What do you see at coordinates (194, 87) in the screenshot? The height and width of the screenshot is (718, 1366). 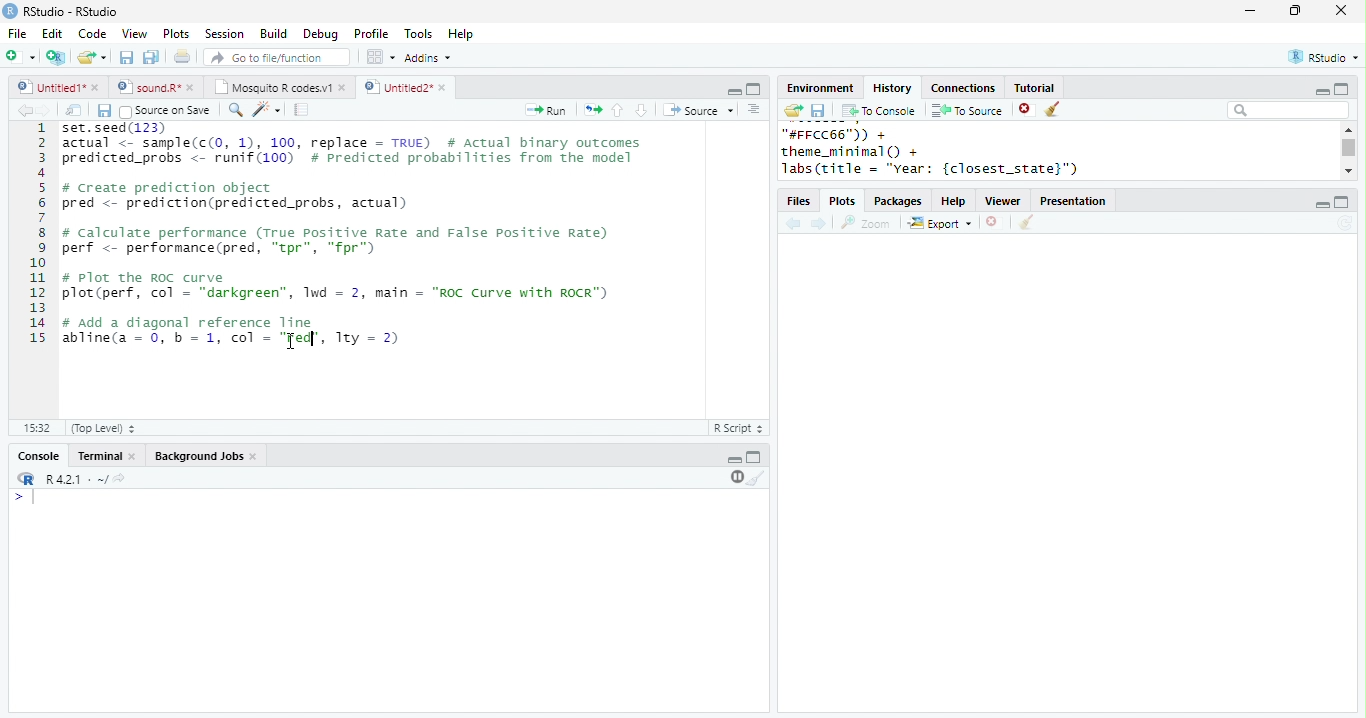 I see `close` at bounding box center [194, 87].